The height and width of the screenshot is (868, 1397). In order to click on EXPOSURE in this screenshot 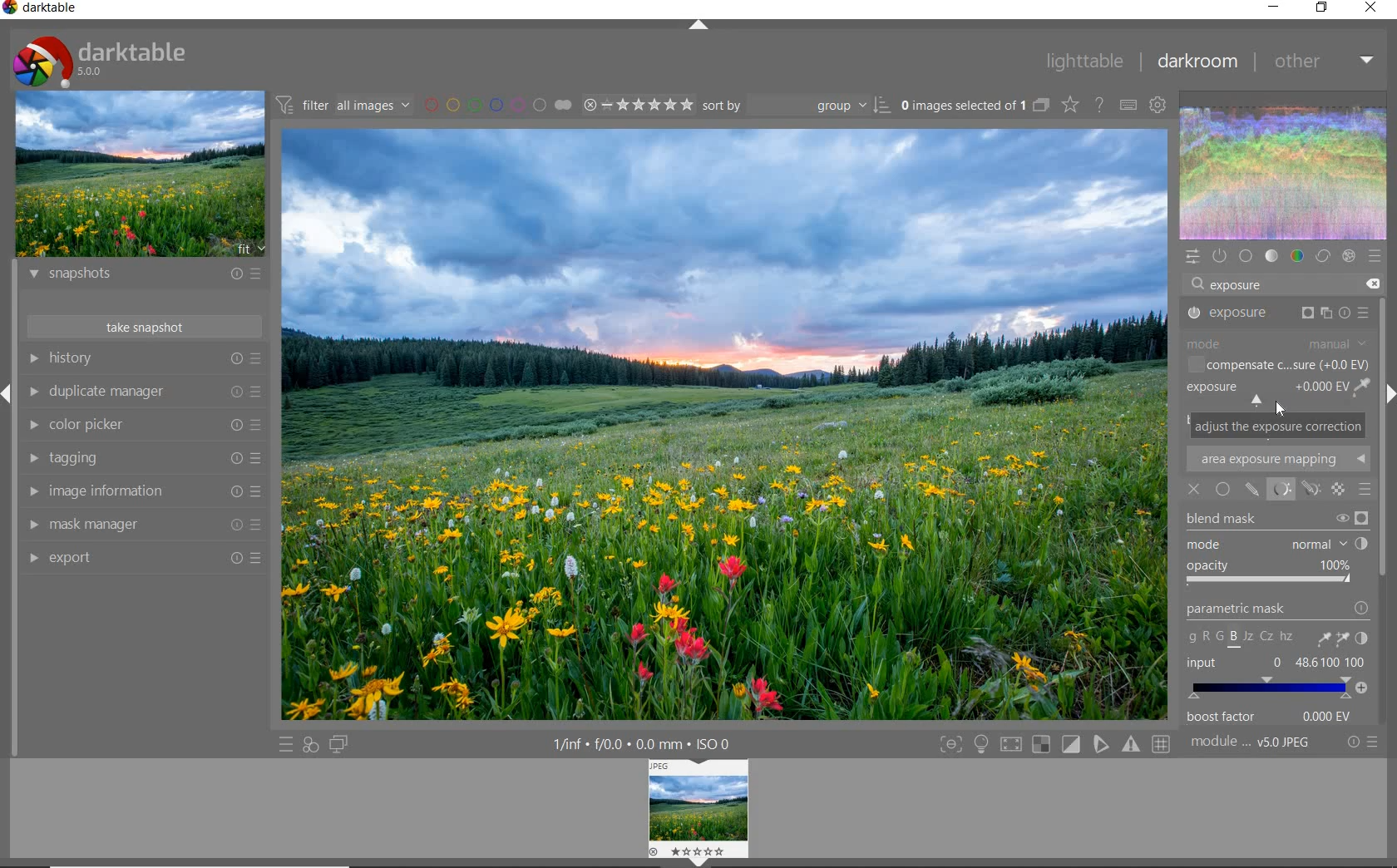, I will do `click(1264, 393)`.